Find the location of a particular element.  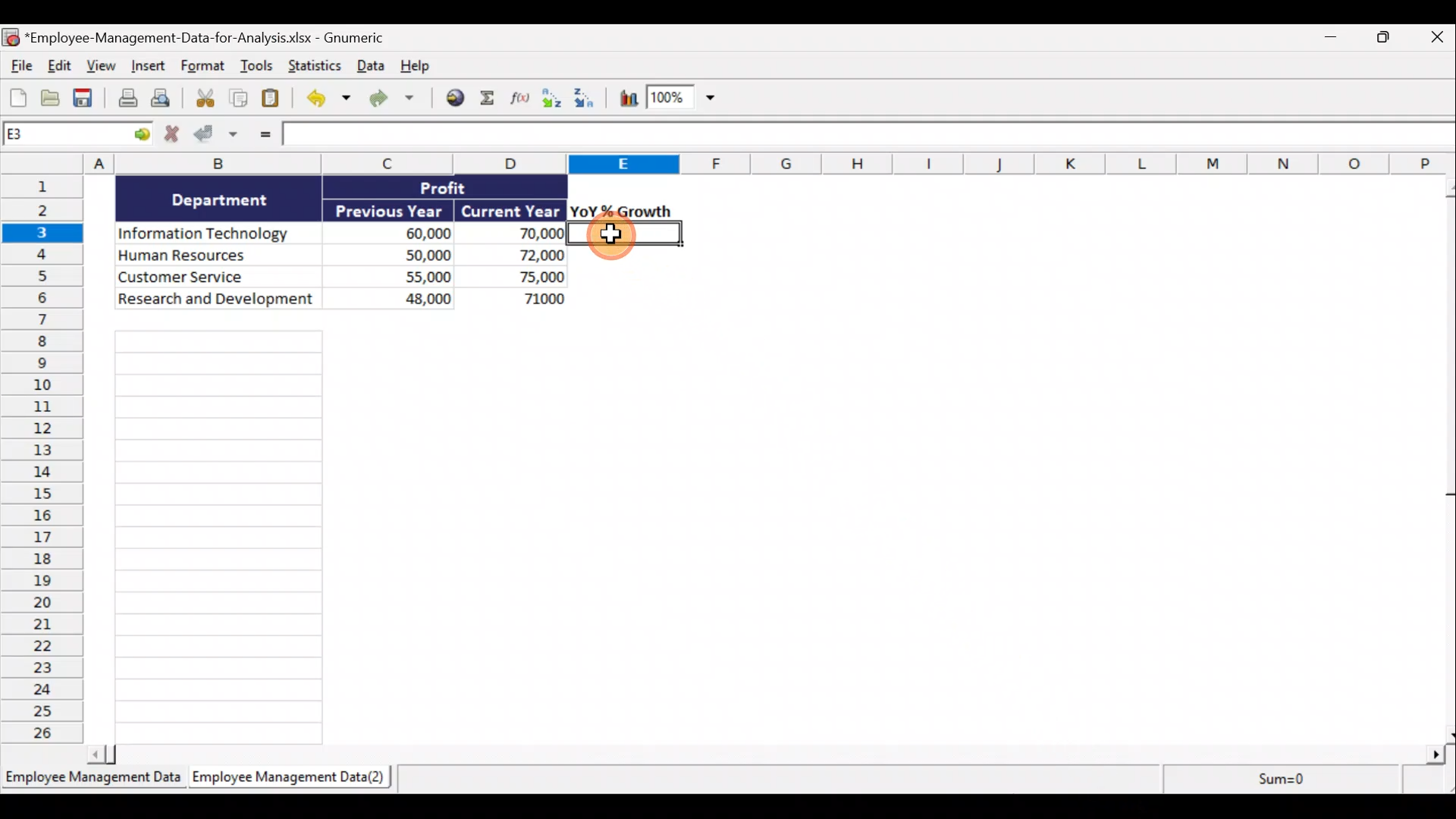

Paste clipboard is located at coordinates (274, 99).